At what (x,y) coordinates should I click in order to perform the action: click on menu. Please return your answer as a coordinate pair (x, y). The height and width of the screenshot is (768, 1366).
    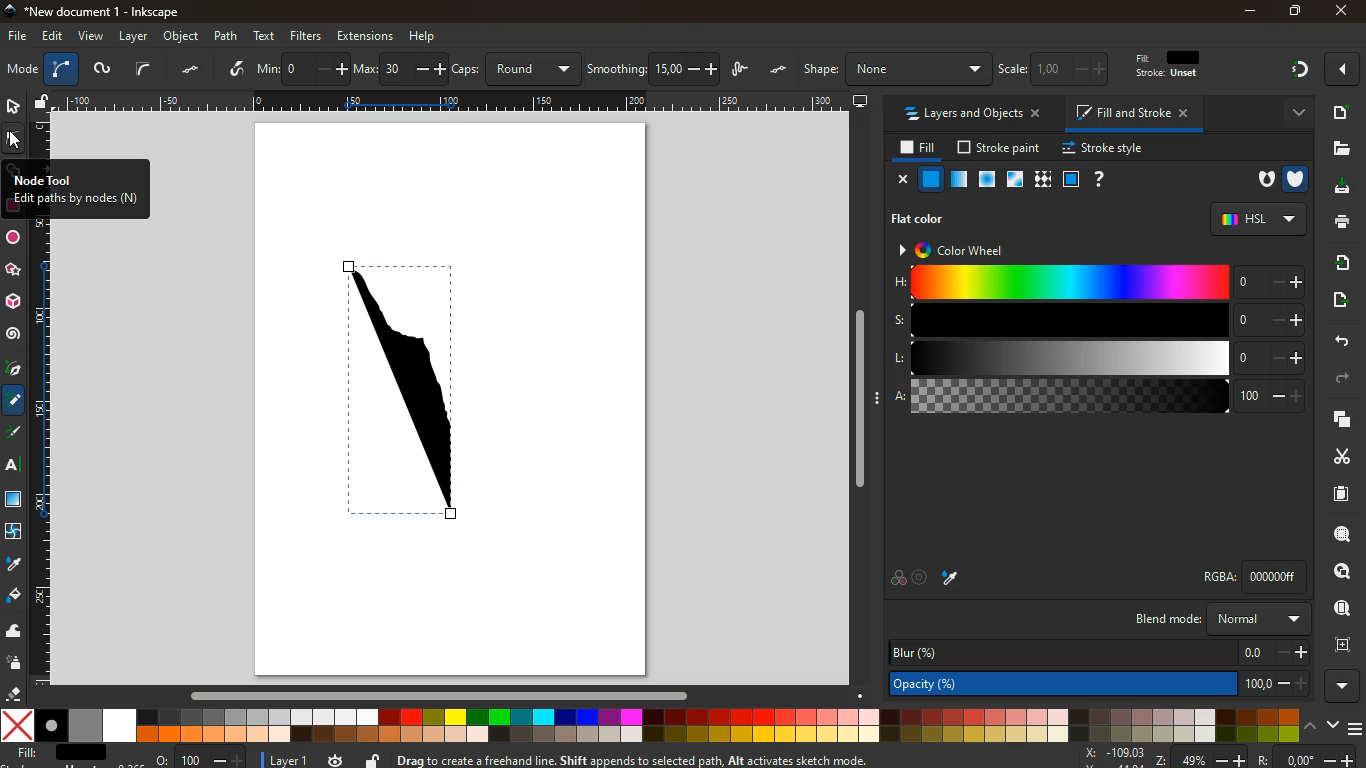
    Looking at the image, I should click on (1357, 726).